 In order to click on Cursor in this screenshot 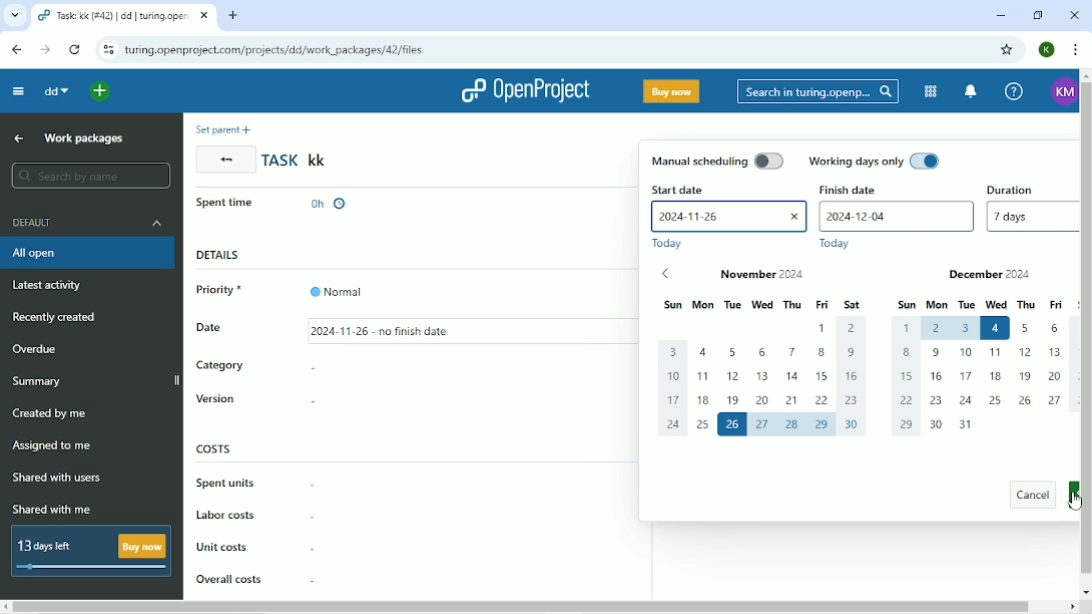, I will do `click(1072, 501)`.